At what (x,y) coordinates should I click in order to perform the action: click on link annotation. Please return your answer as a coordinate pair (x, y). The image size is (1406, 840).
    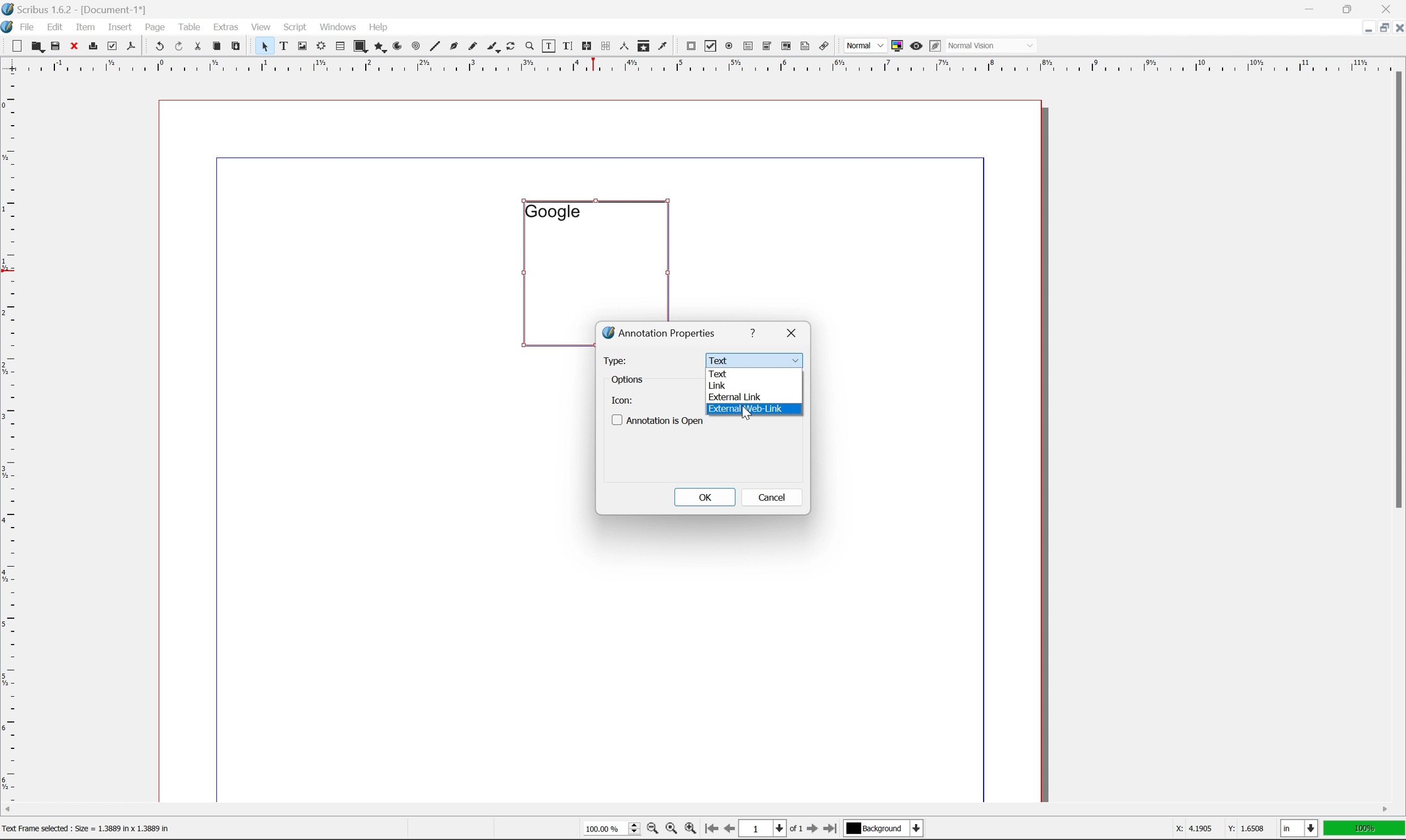
    Looking at the image, I should click on (824, 47).